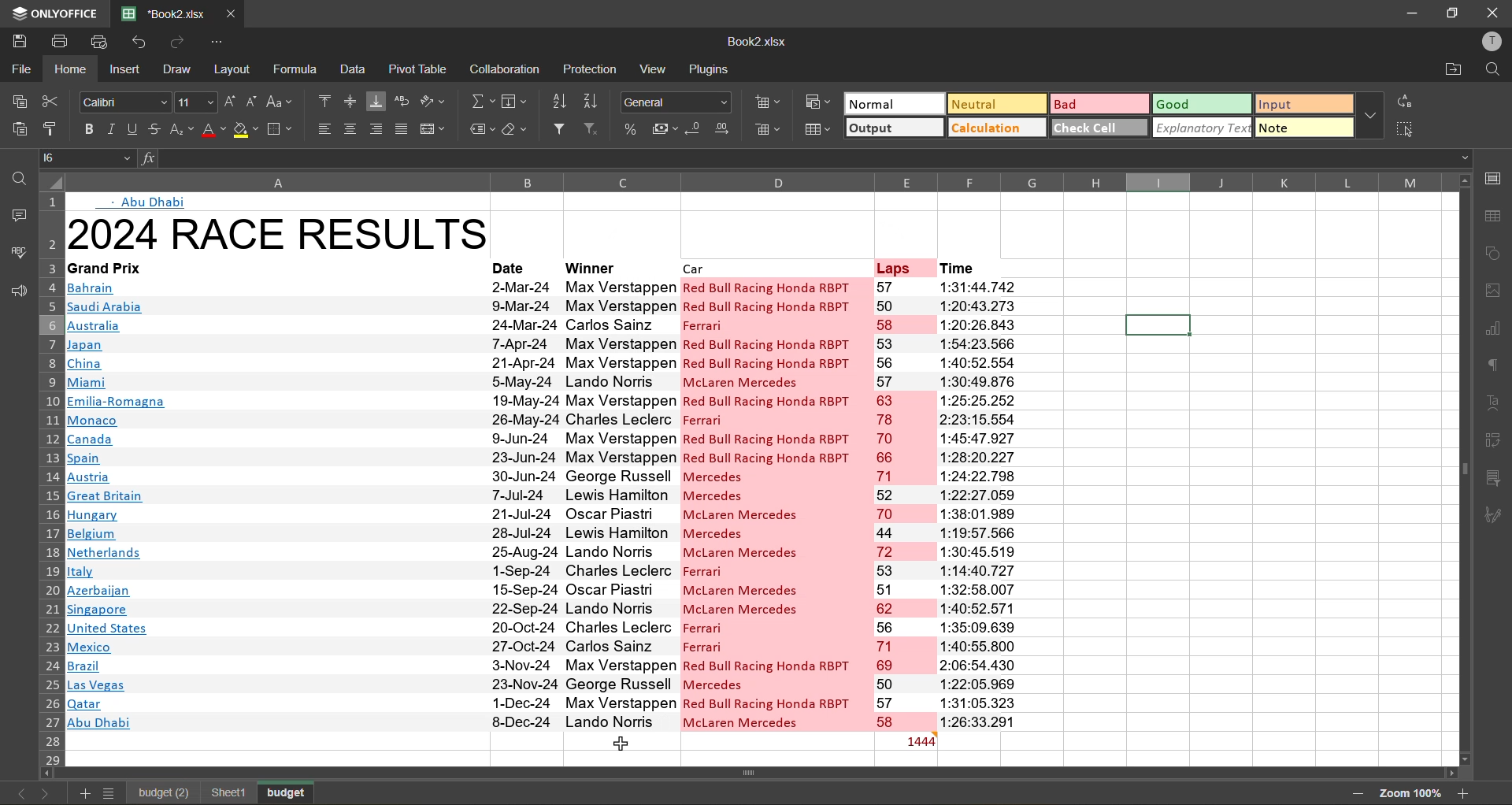 The image size is (1512, 805). Describe the element at coordinates (1303, 126) in the screenshot. I see `note` at that location.